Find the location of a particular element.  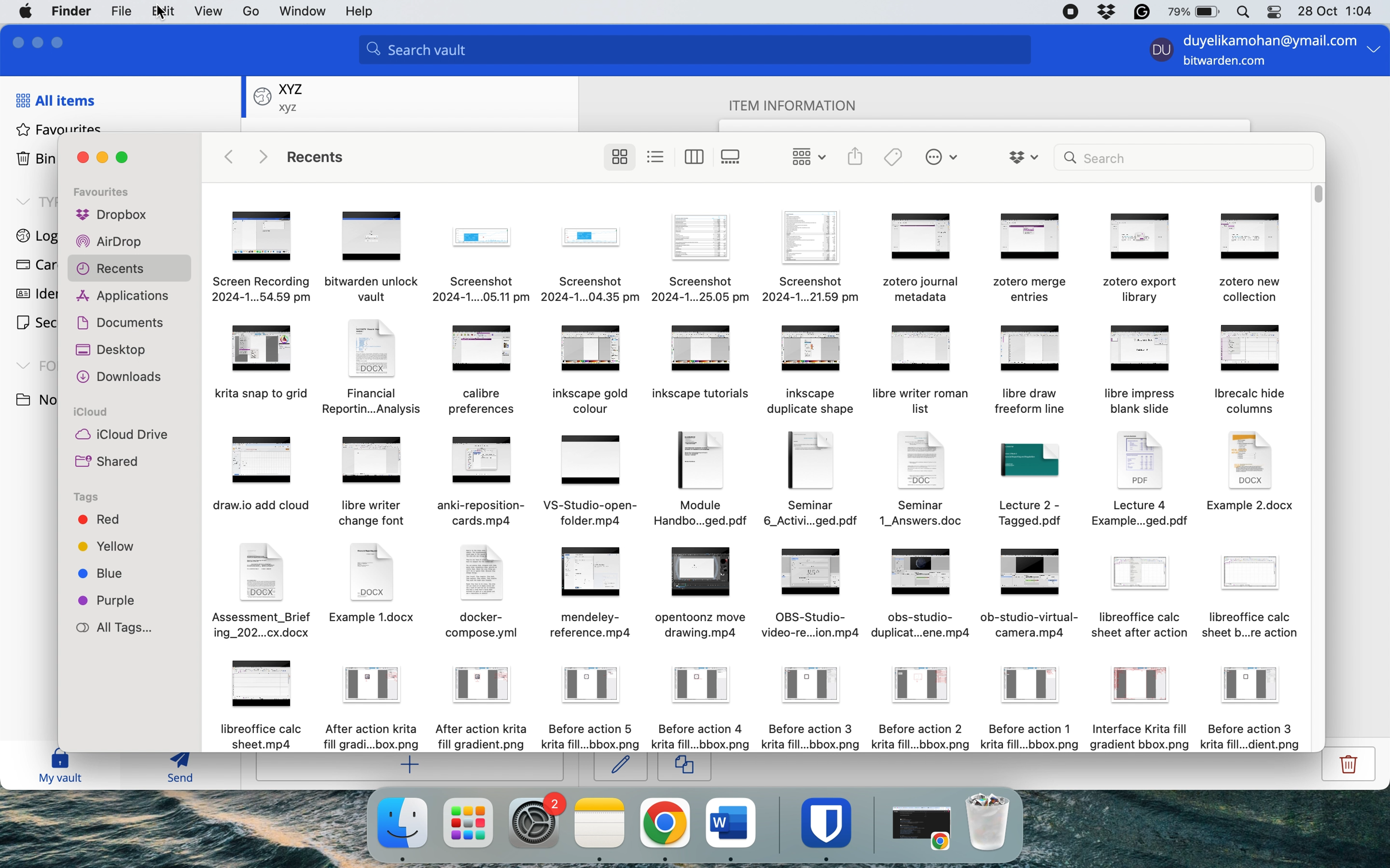

search valut is located at coordinates (702, 52).